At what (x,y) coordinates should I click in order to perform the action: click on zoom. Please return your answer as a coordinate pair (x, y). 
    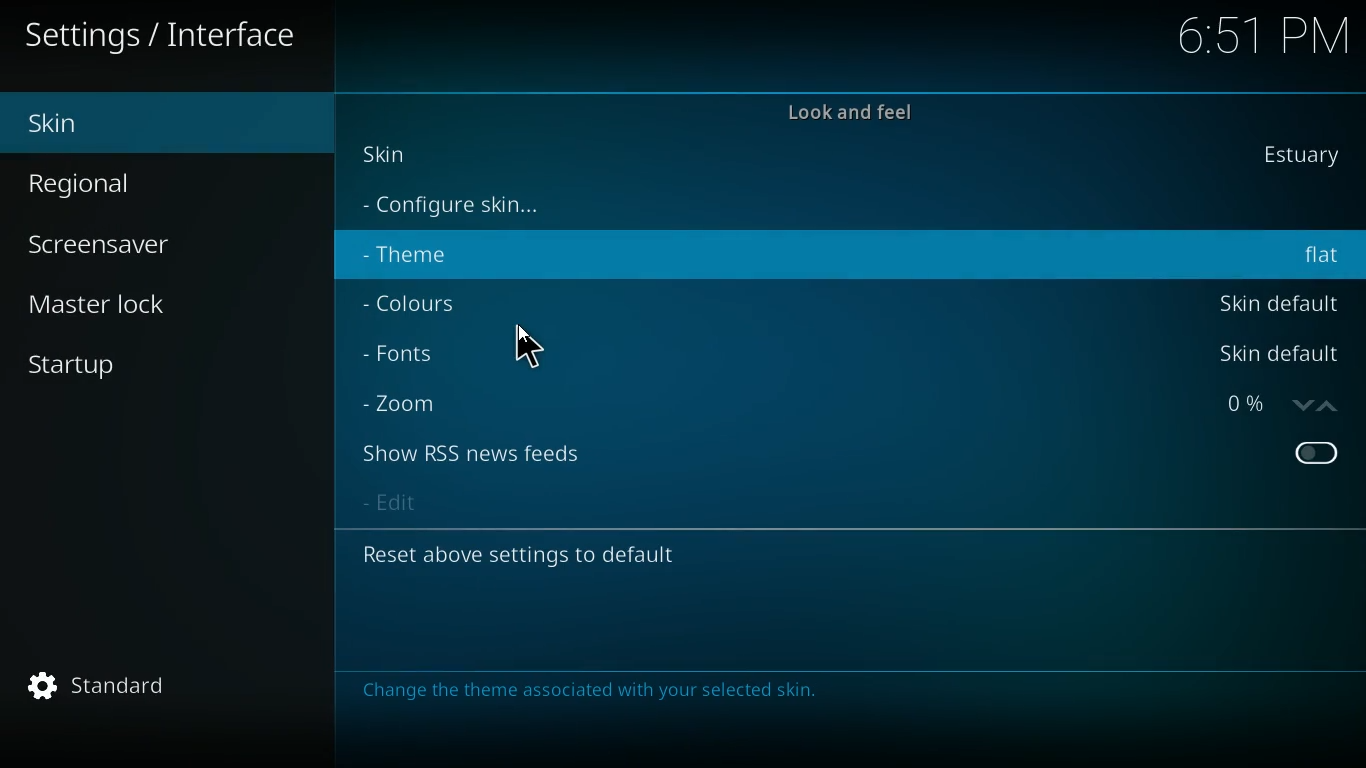
    Looking at the image, I should click on (1272, 404).